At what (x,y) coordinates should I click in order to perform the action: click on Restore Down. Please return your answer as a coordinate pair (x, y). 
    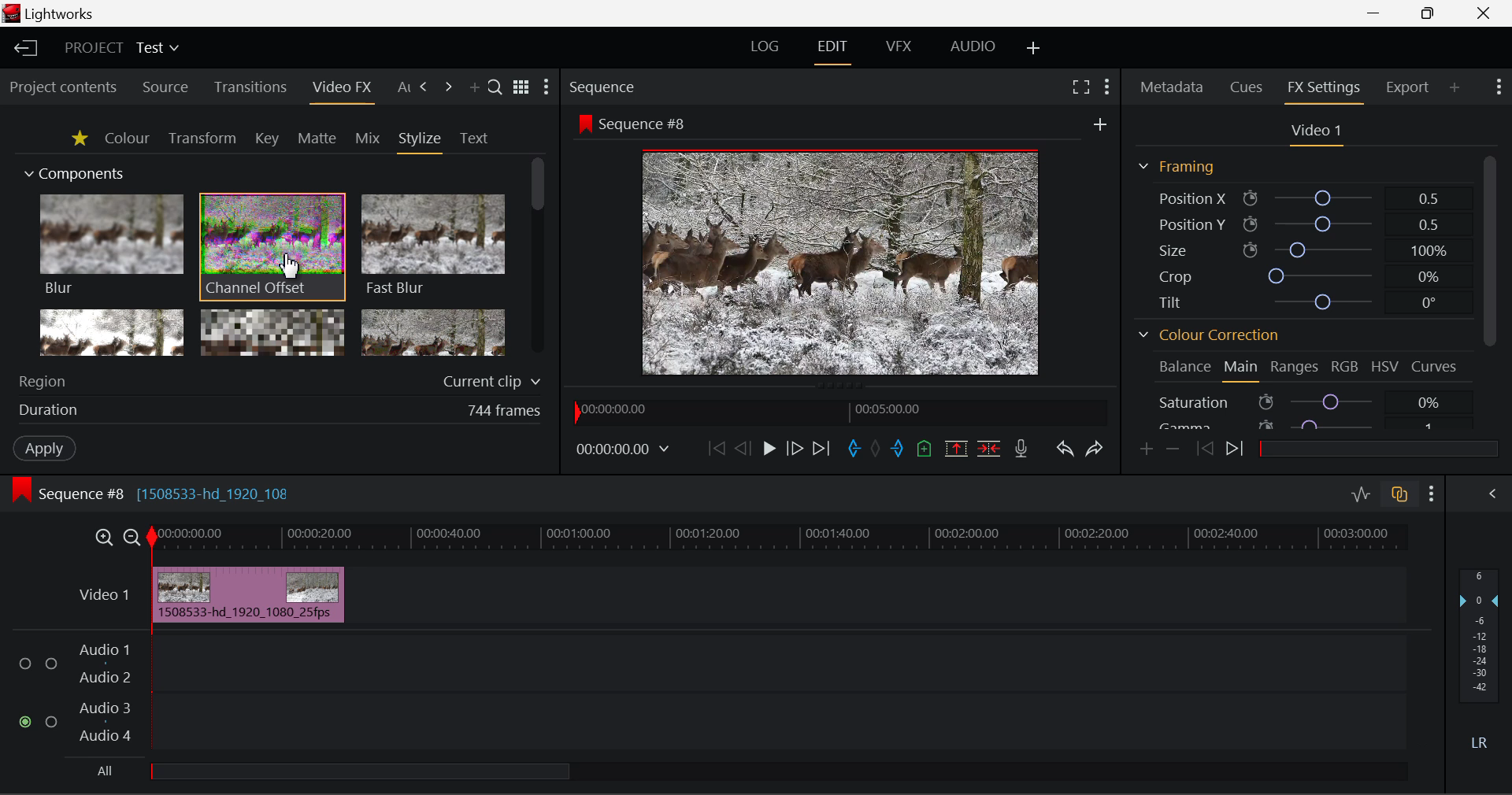
    Looking at the image, I should click on (1379, 14).